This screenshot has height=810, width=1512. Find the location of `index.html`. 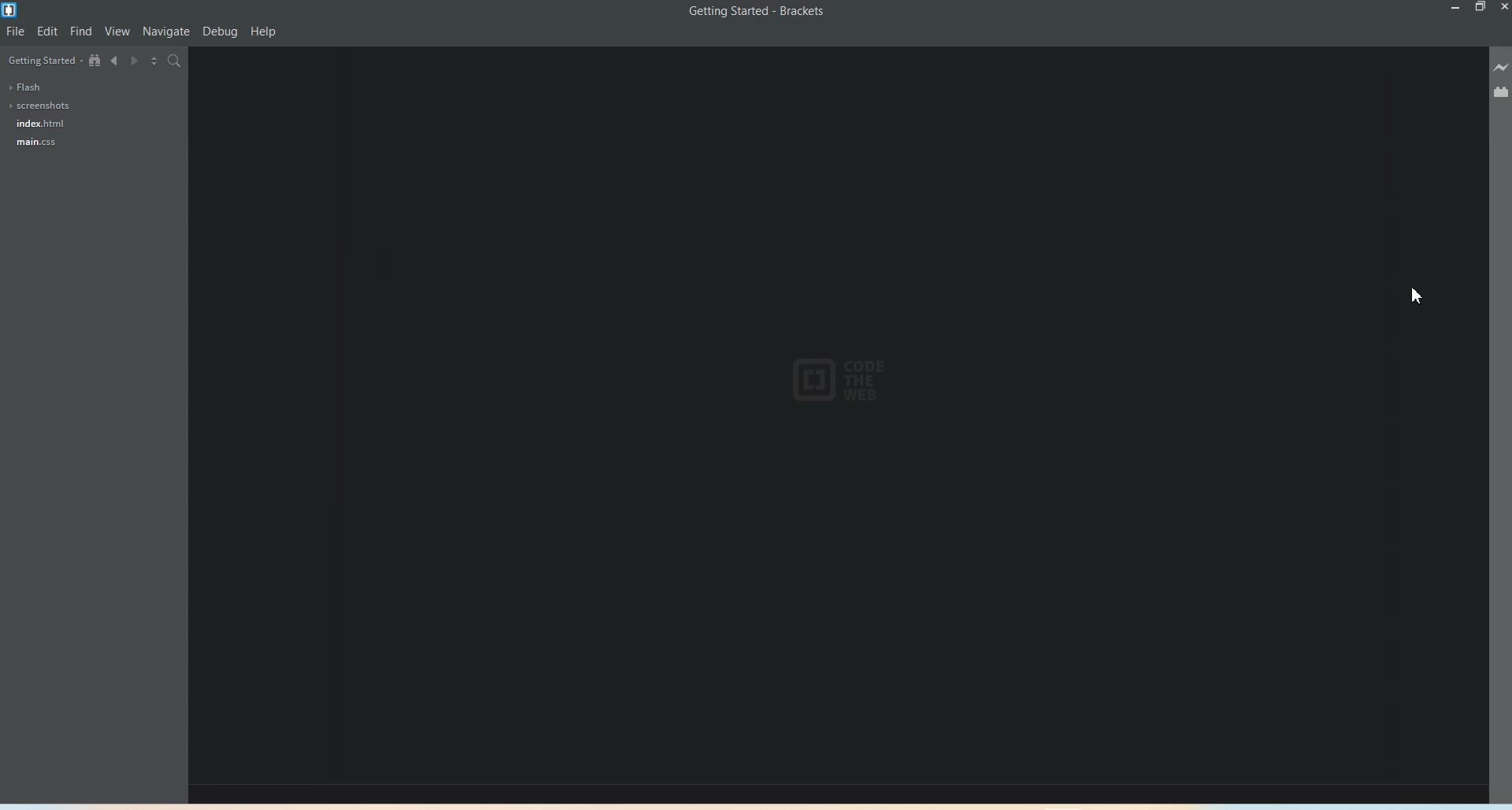

index.html is located at coordinates (37, 123).